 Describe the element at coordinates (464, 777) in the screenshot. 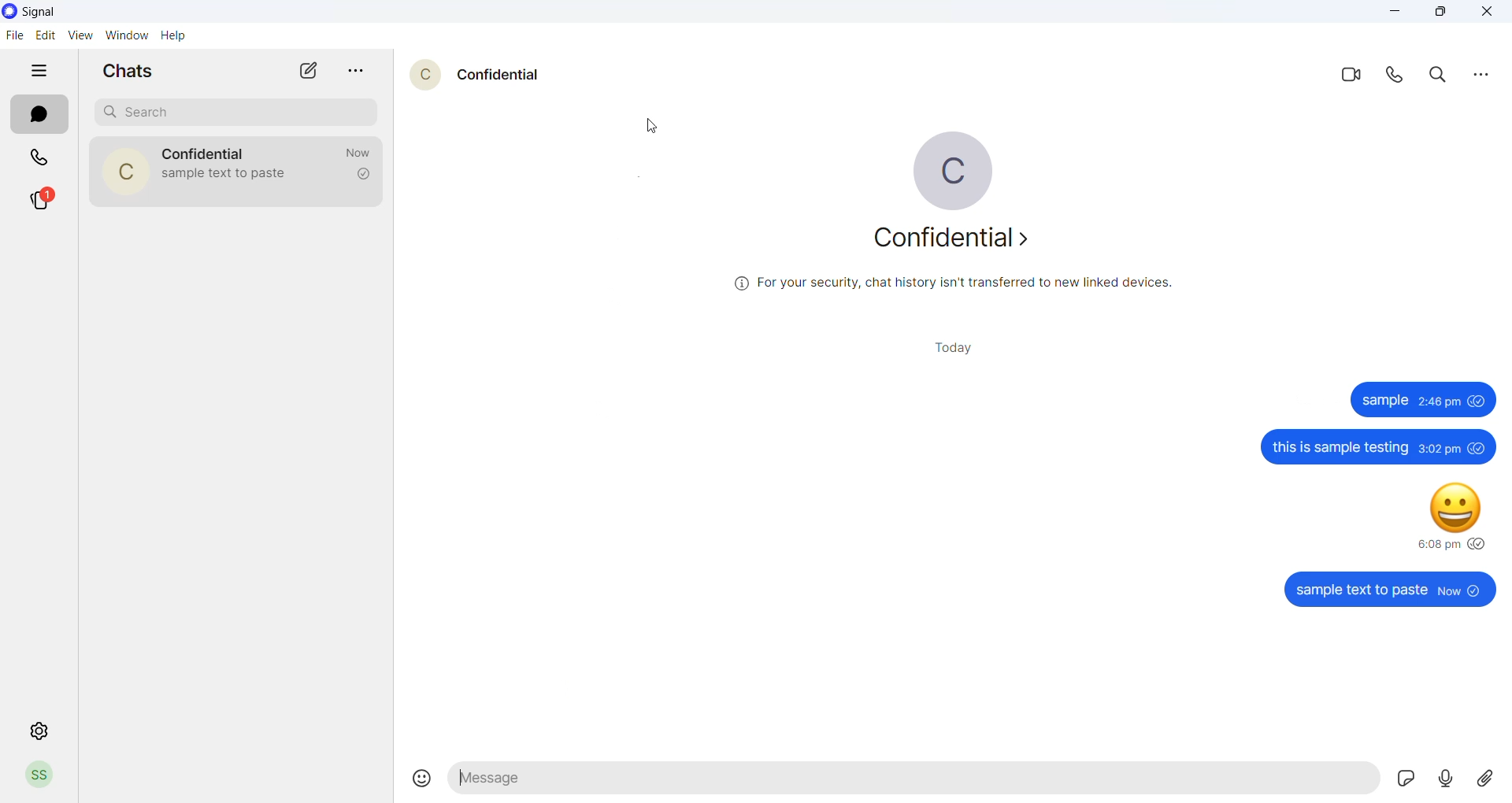

I see `text markup` at that location.